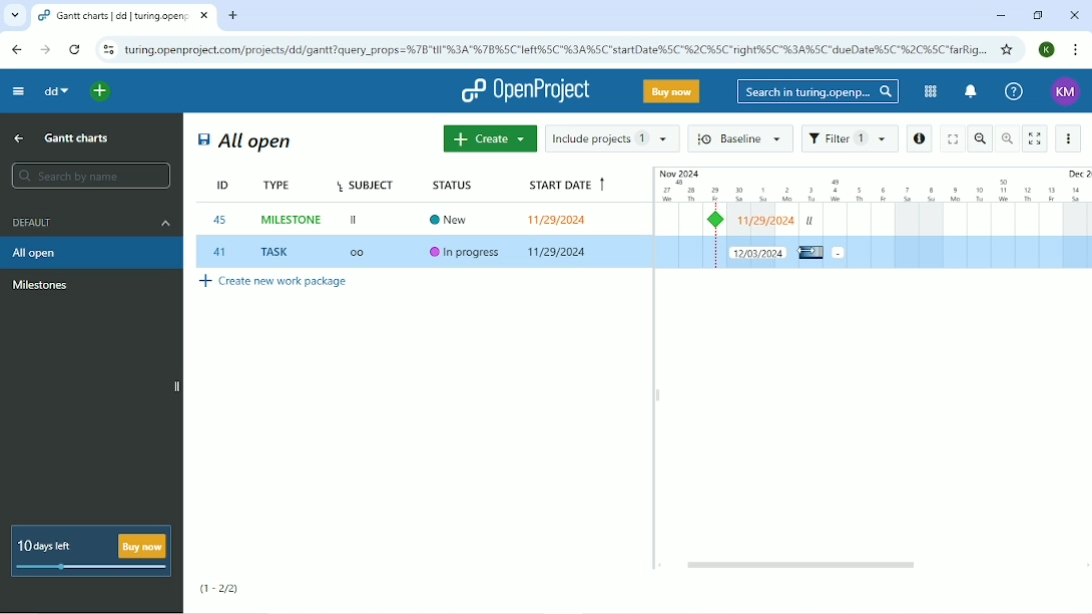  I want to click on Gantt charts, so click(79, 137).